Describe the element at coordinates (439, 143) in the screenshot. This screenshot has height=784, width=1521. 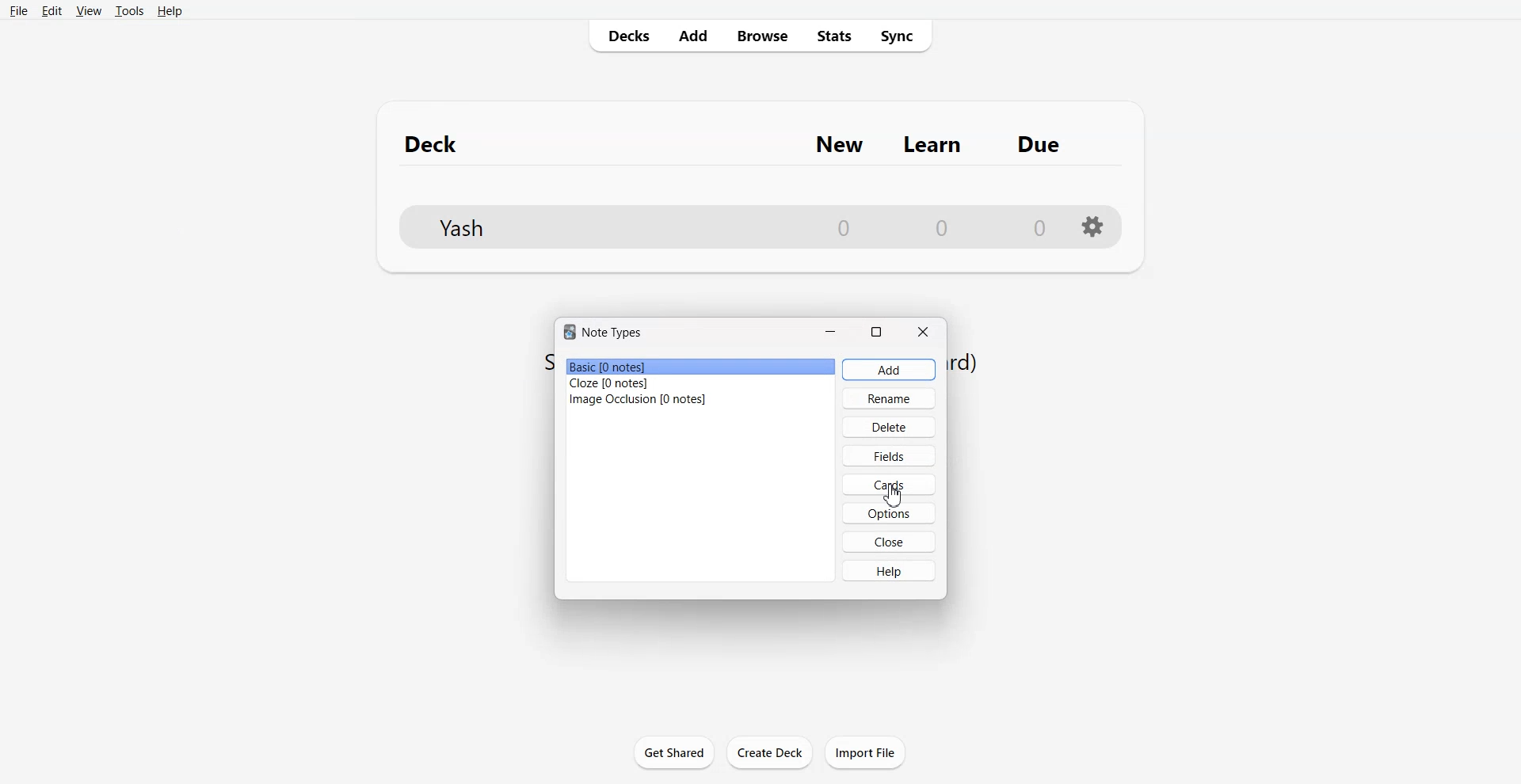
I see `Deck` at that location.